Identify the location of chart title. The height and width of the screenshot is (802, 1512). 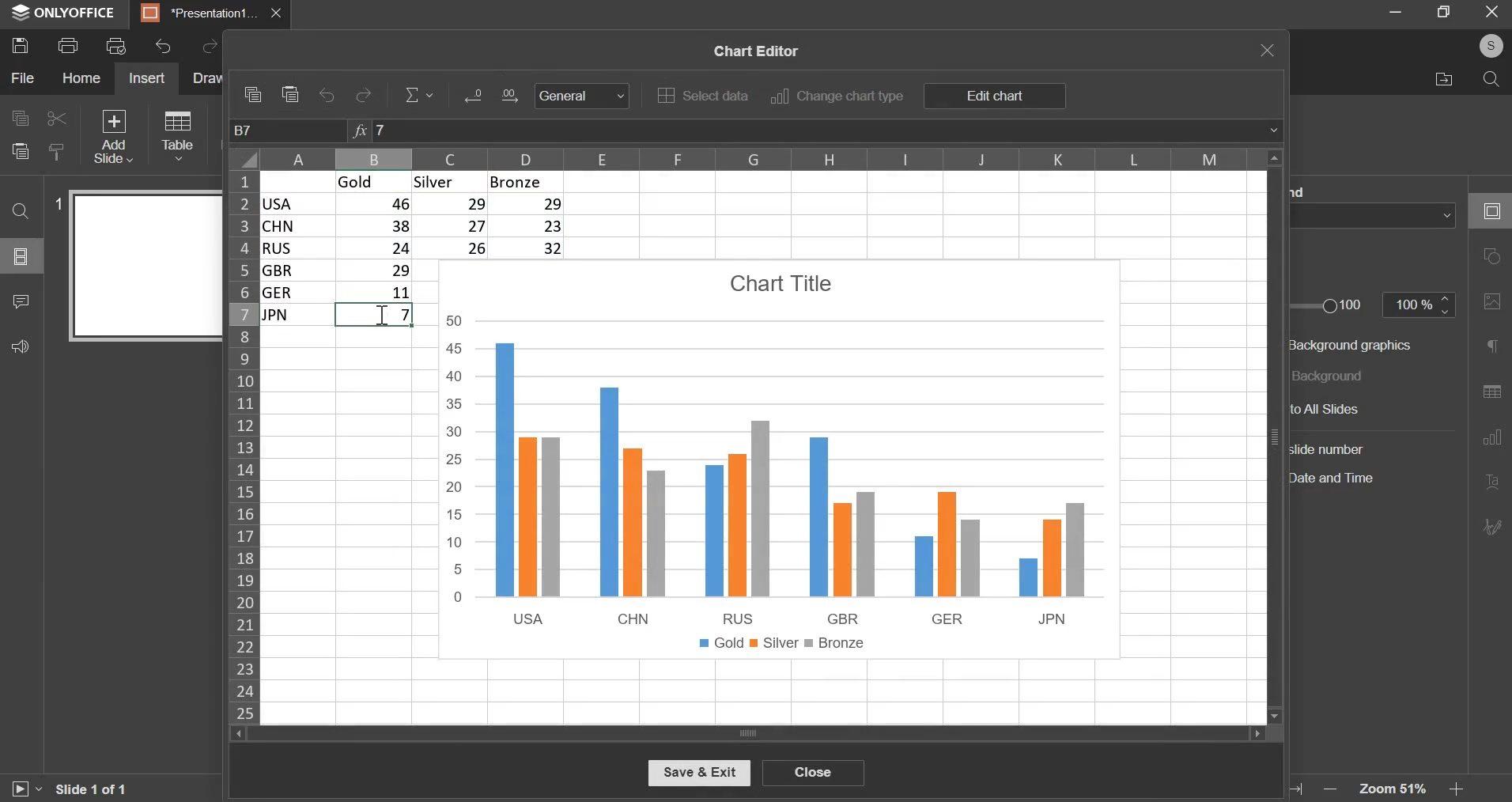
(785, 282).